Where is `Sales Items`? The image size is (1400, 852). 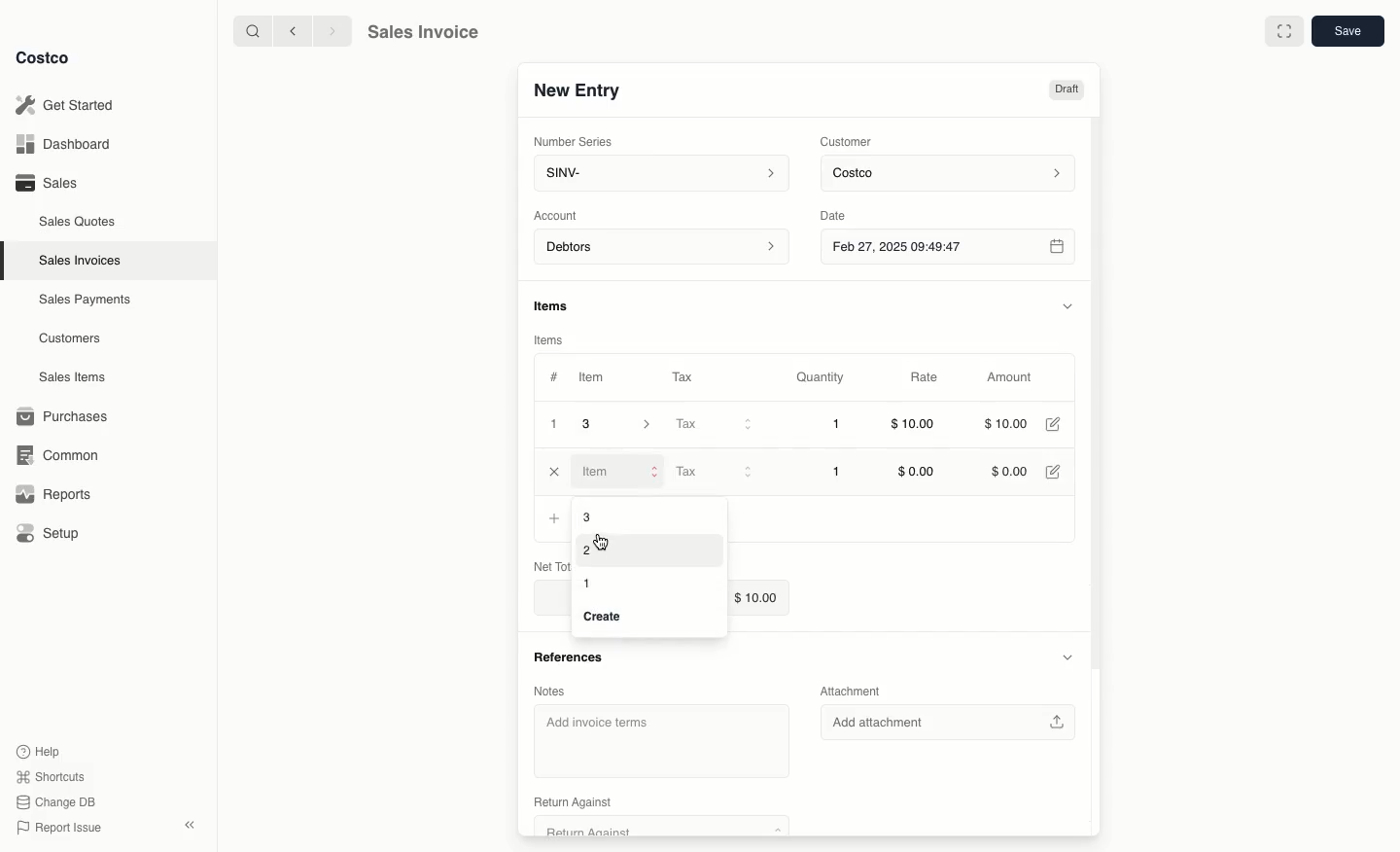 Sales Items is located at coordinates (75, 375).